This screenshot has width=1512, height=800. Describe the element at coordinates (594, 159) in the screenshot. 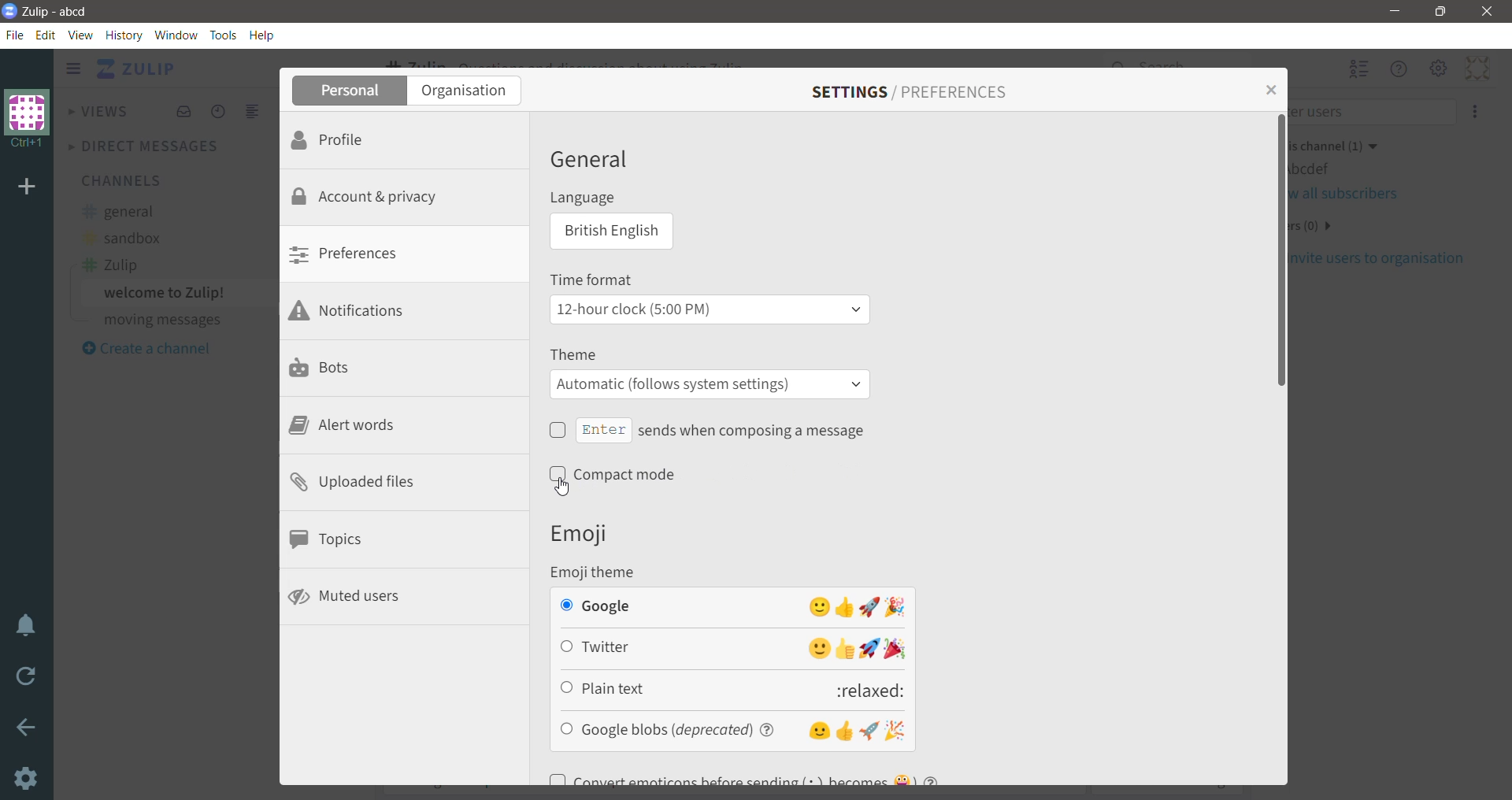

I see `General` at that location.